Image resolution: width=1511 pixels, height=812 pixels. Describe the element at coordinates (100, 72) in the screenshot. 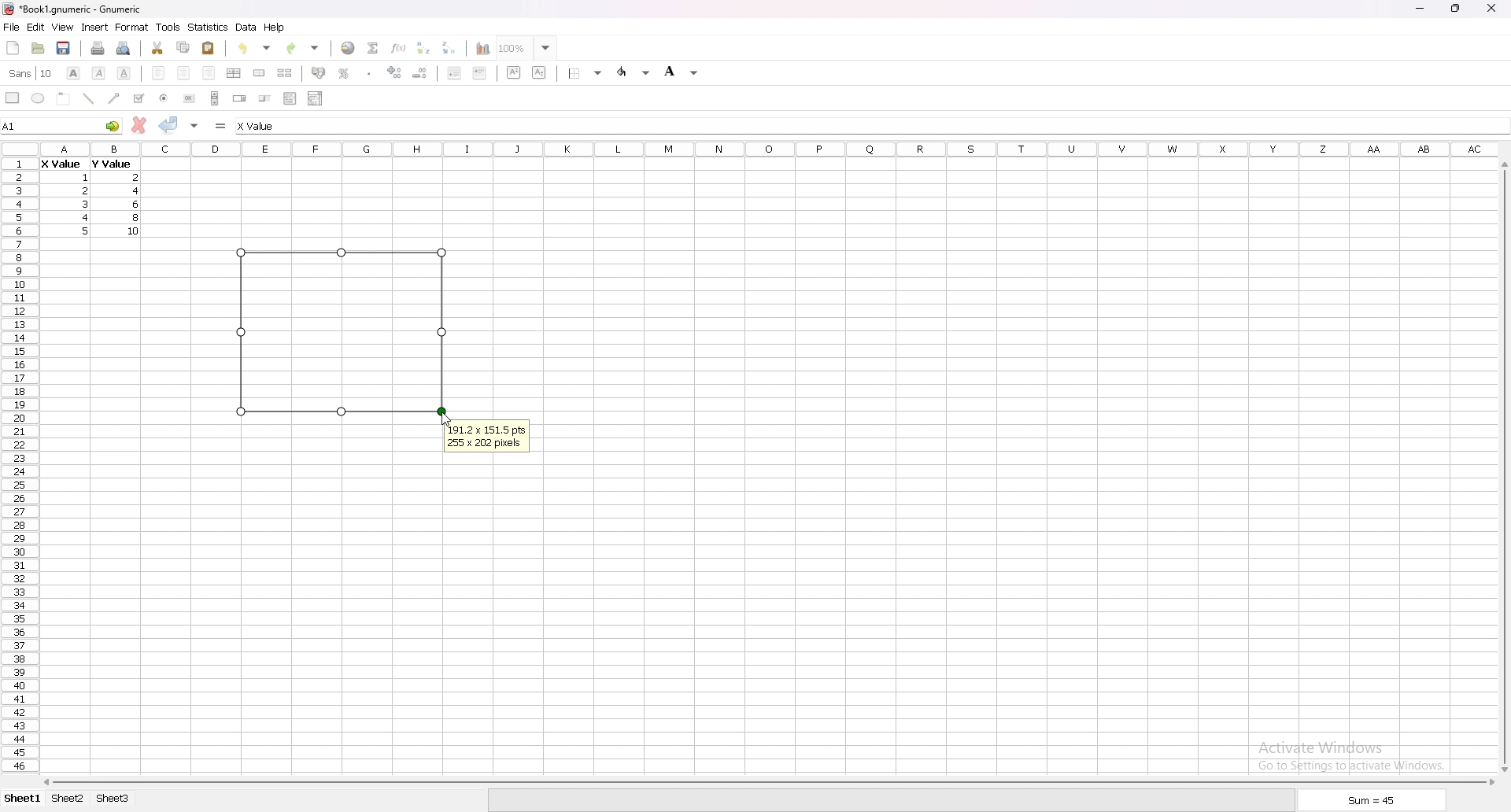

I see `italic` at that location.